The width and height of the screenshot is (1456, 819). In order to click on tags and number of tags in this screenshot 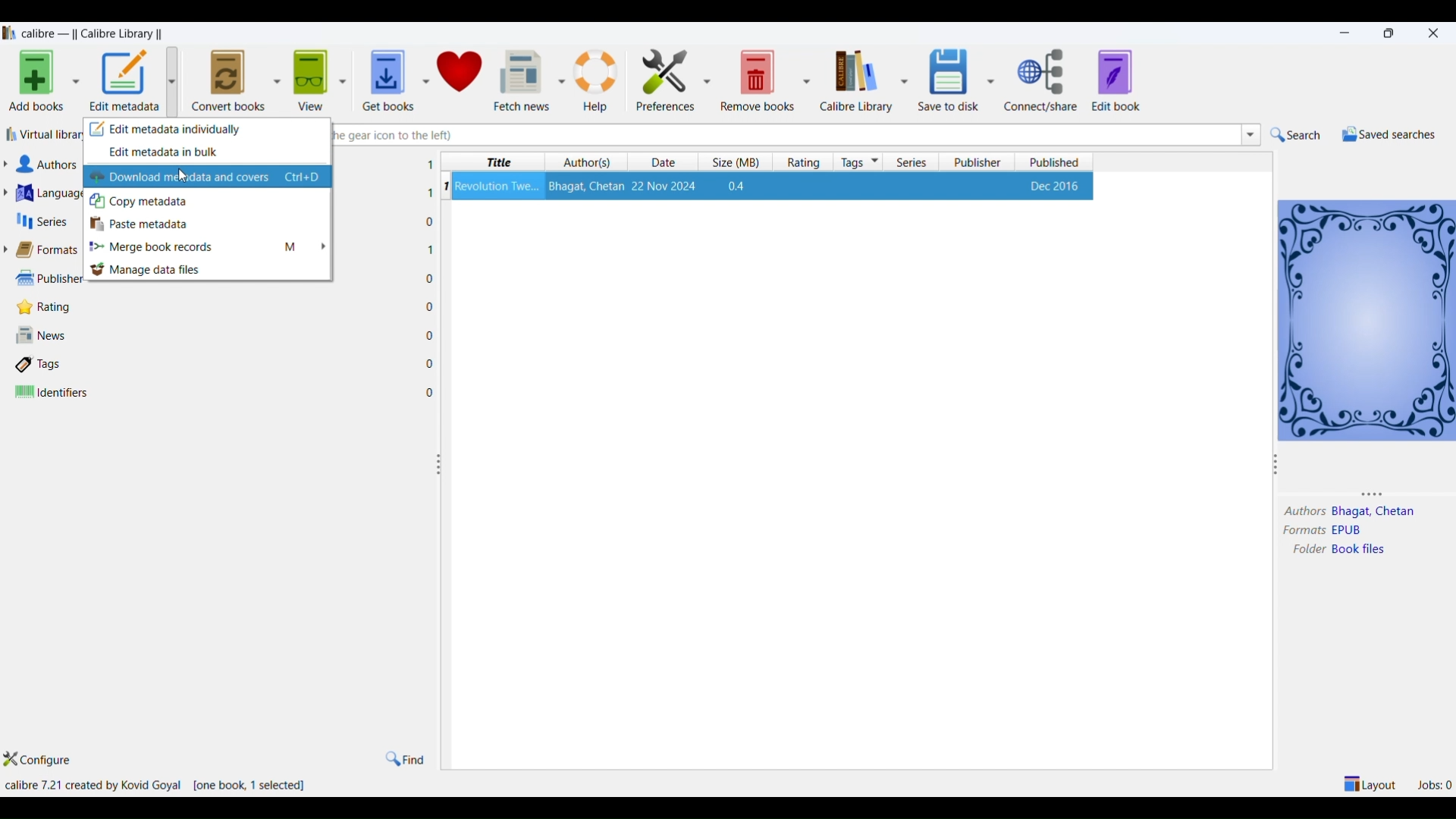, I will do `click(45, 363)`.